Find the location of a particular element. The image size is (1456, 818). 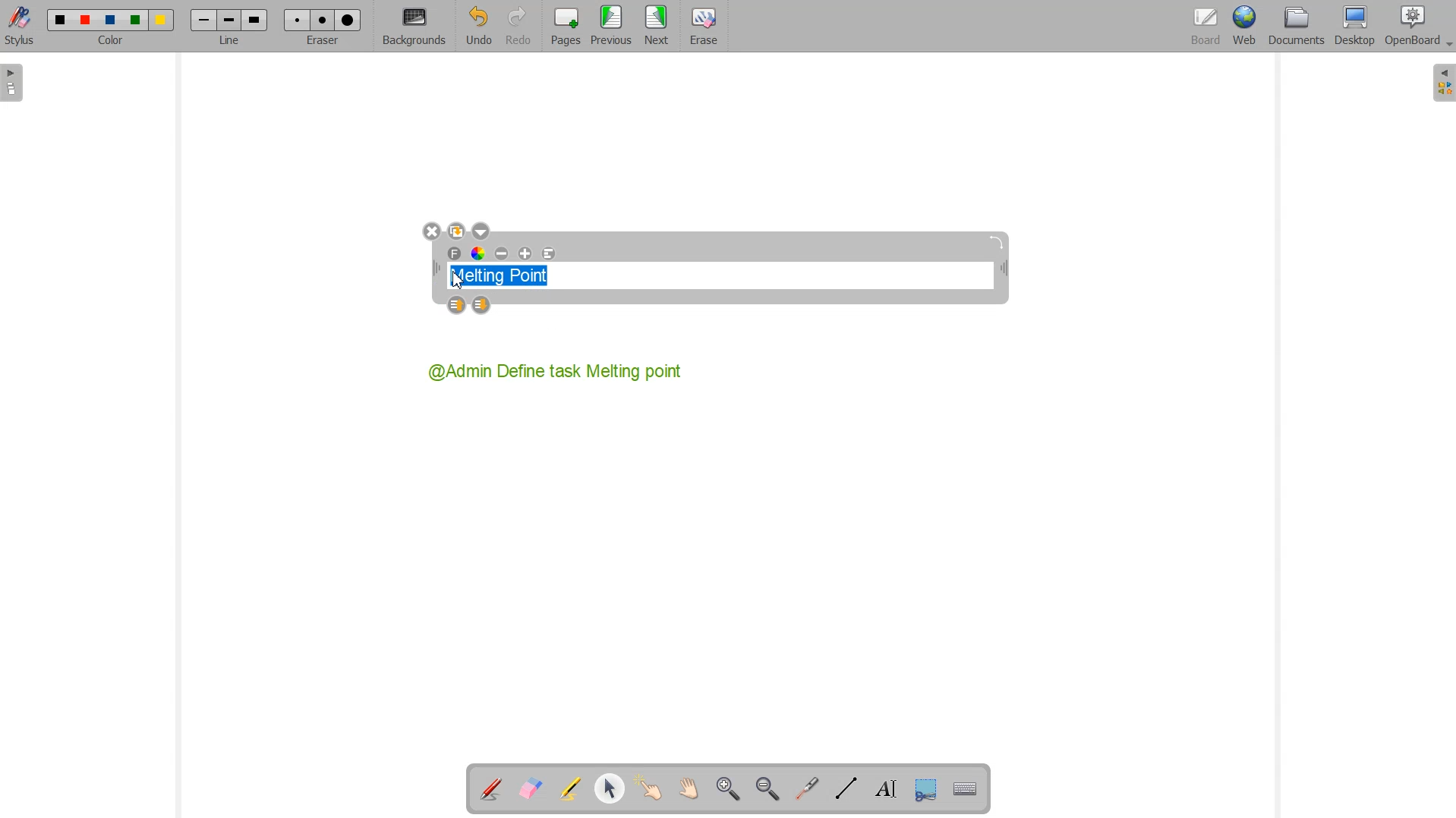

Background is located at coordinates (414, 27).